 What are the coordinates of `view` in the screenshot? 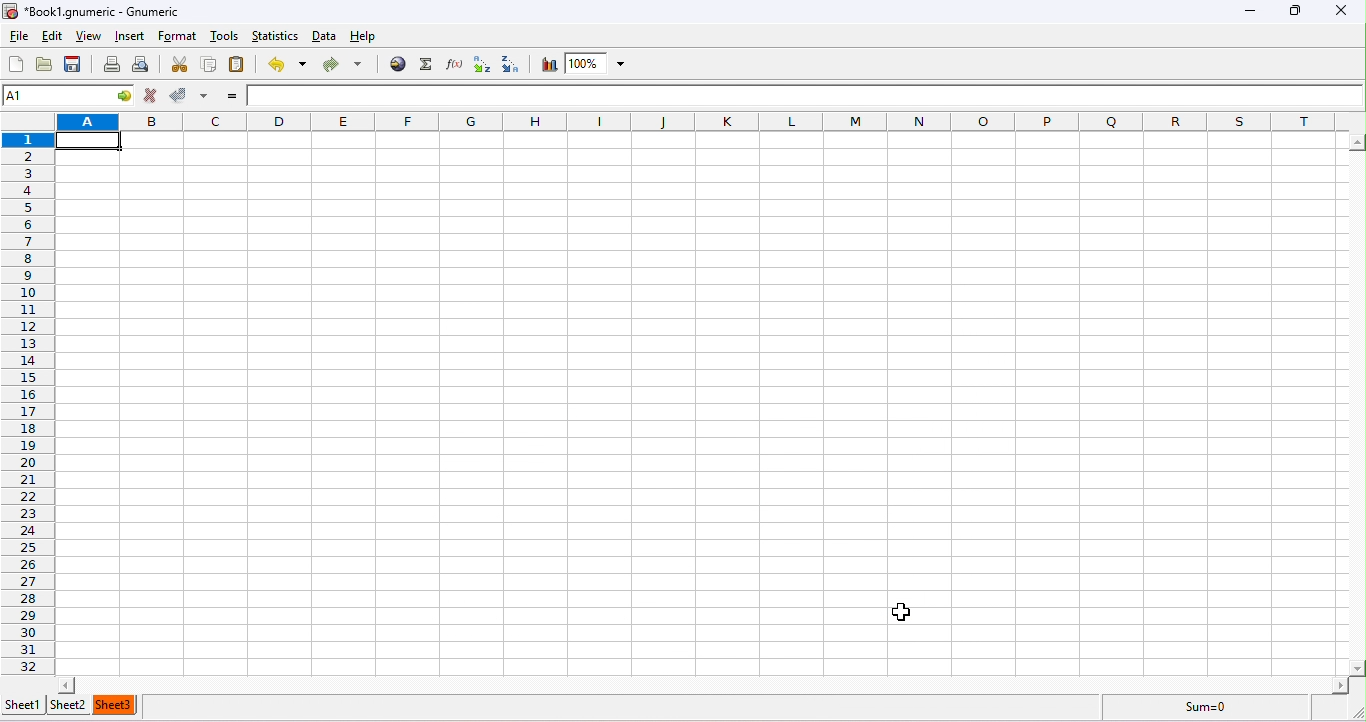 It's located at (87, 36).